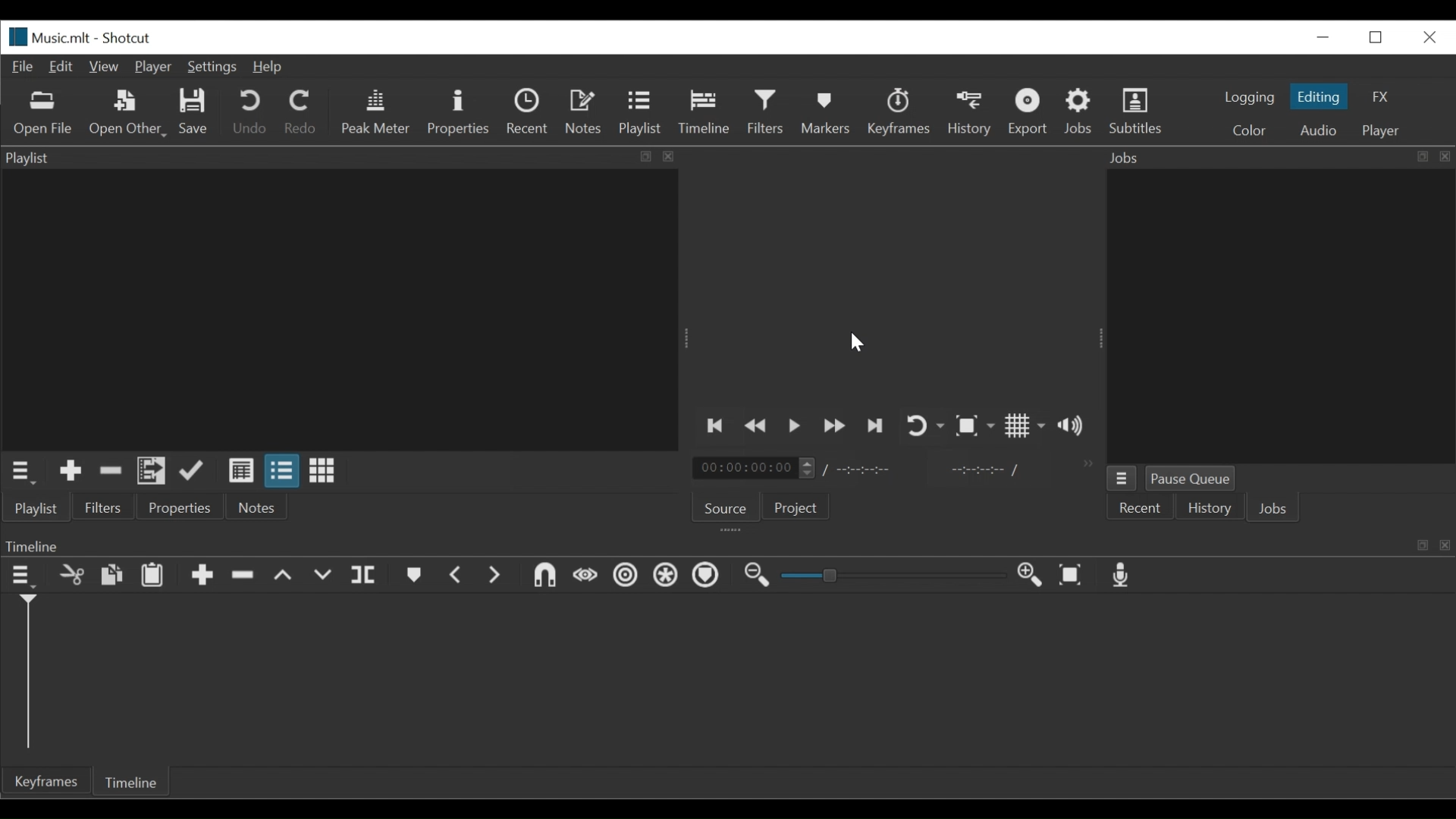 The width and height of the screenshot is (1456, 819). I want to click on Notes, so click(584, 114).